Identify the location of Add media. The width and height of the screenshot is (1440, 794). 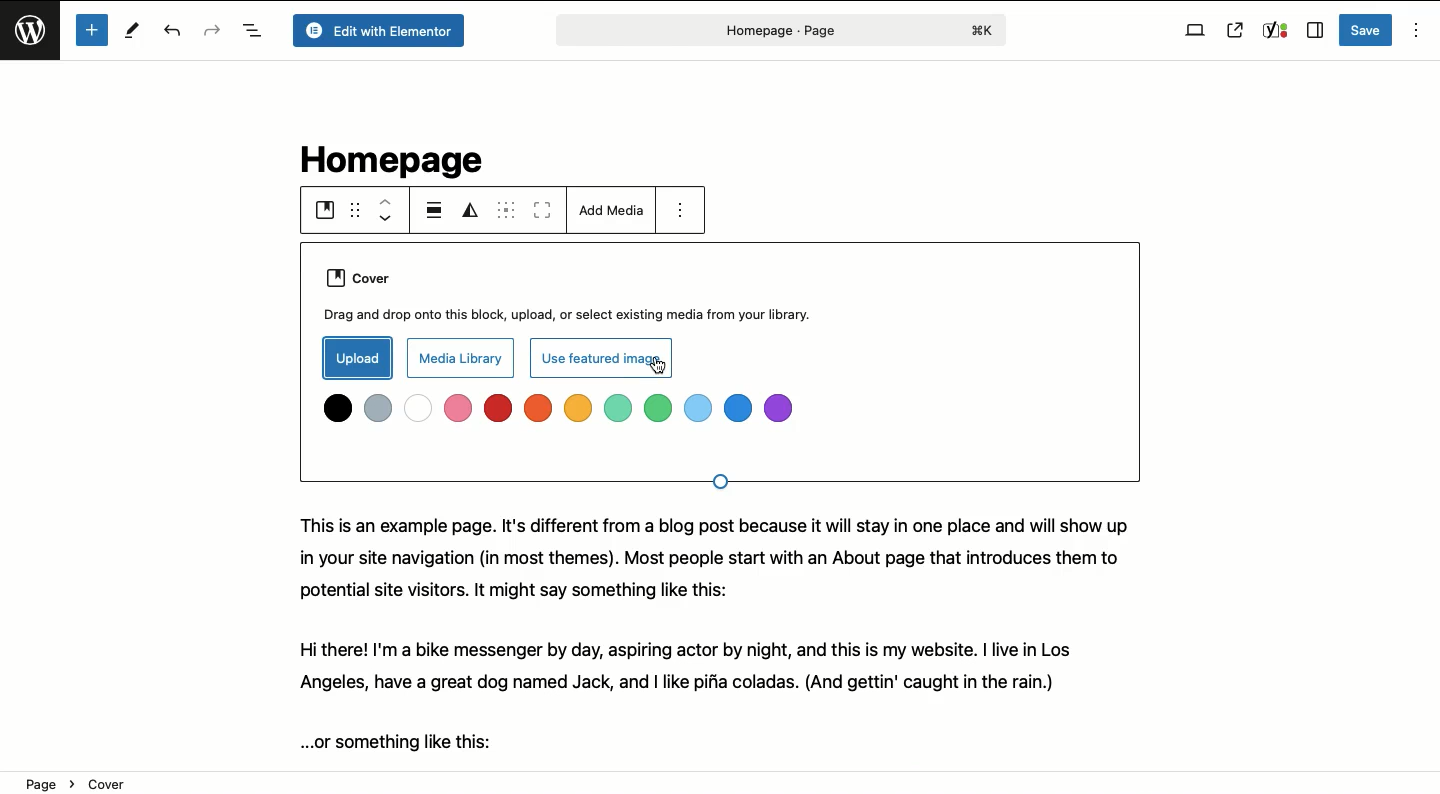
(614, 211).